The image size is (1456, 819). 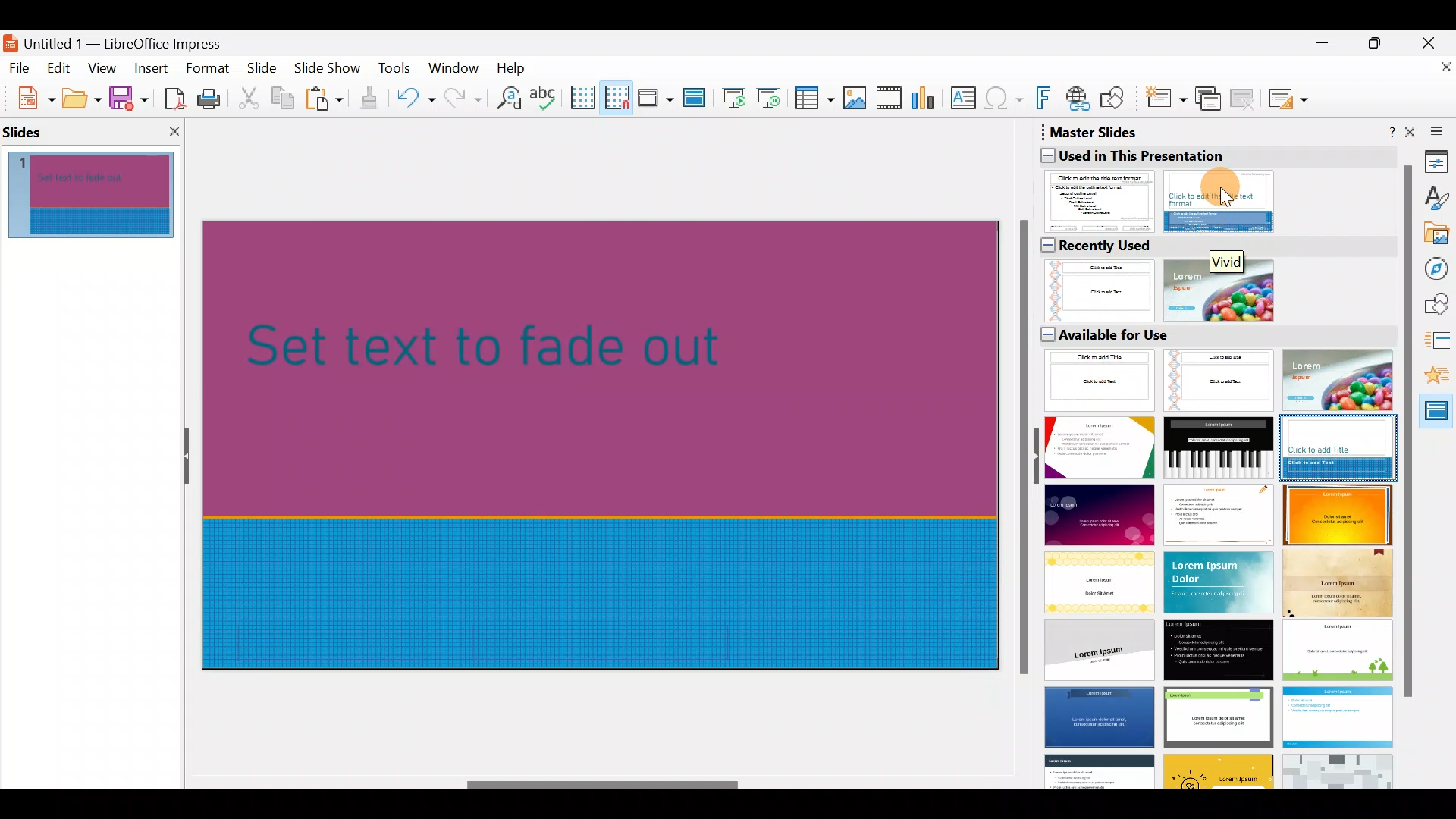 I want to click on Recently used, so click(x=1209, y=278).